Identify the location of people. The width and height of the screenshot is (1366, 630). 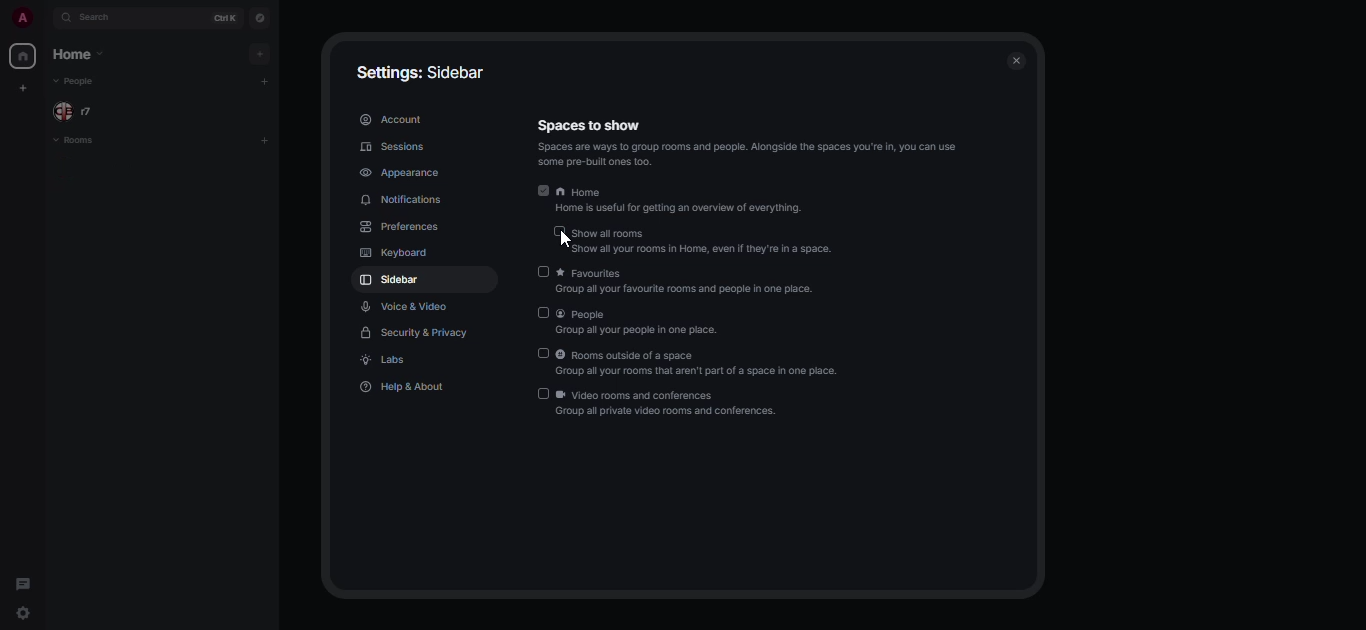
(77, 81).